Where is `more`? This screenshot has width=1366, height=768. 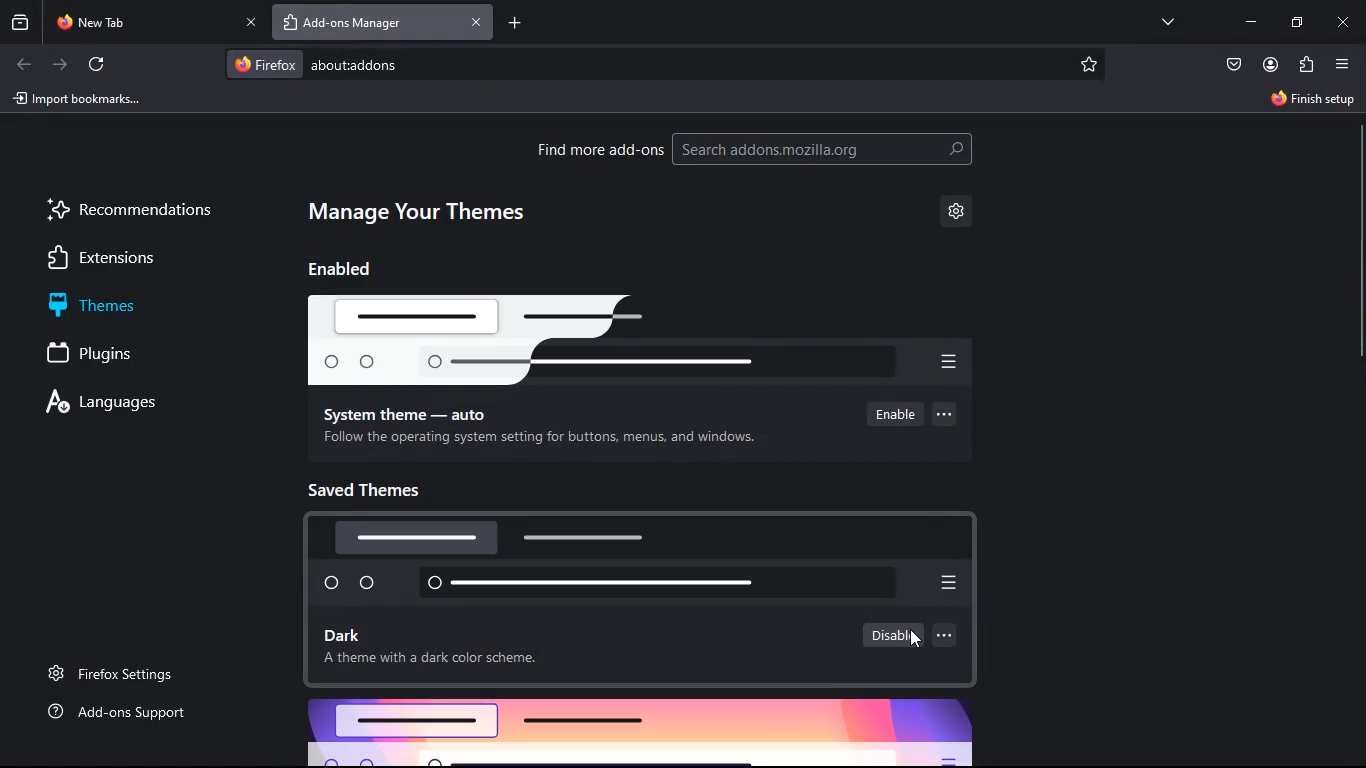 more is located at coordinates (1169, 22).